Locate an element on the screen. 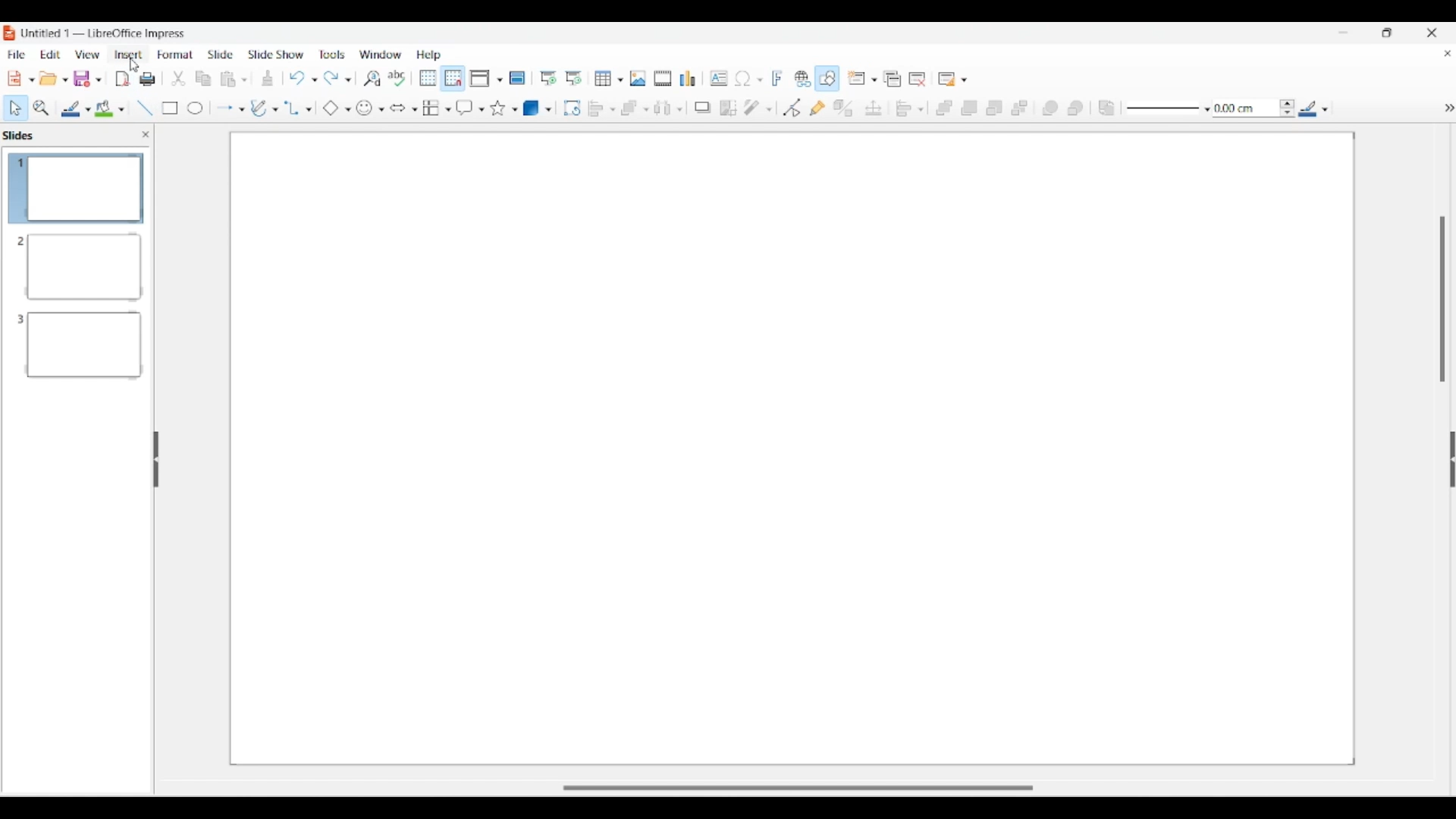 Image resolution: width=1456 pixels, height=819 pixels. Callout shape options is located at coordinates (470, 108).